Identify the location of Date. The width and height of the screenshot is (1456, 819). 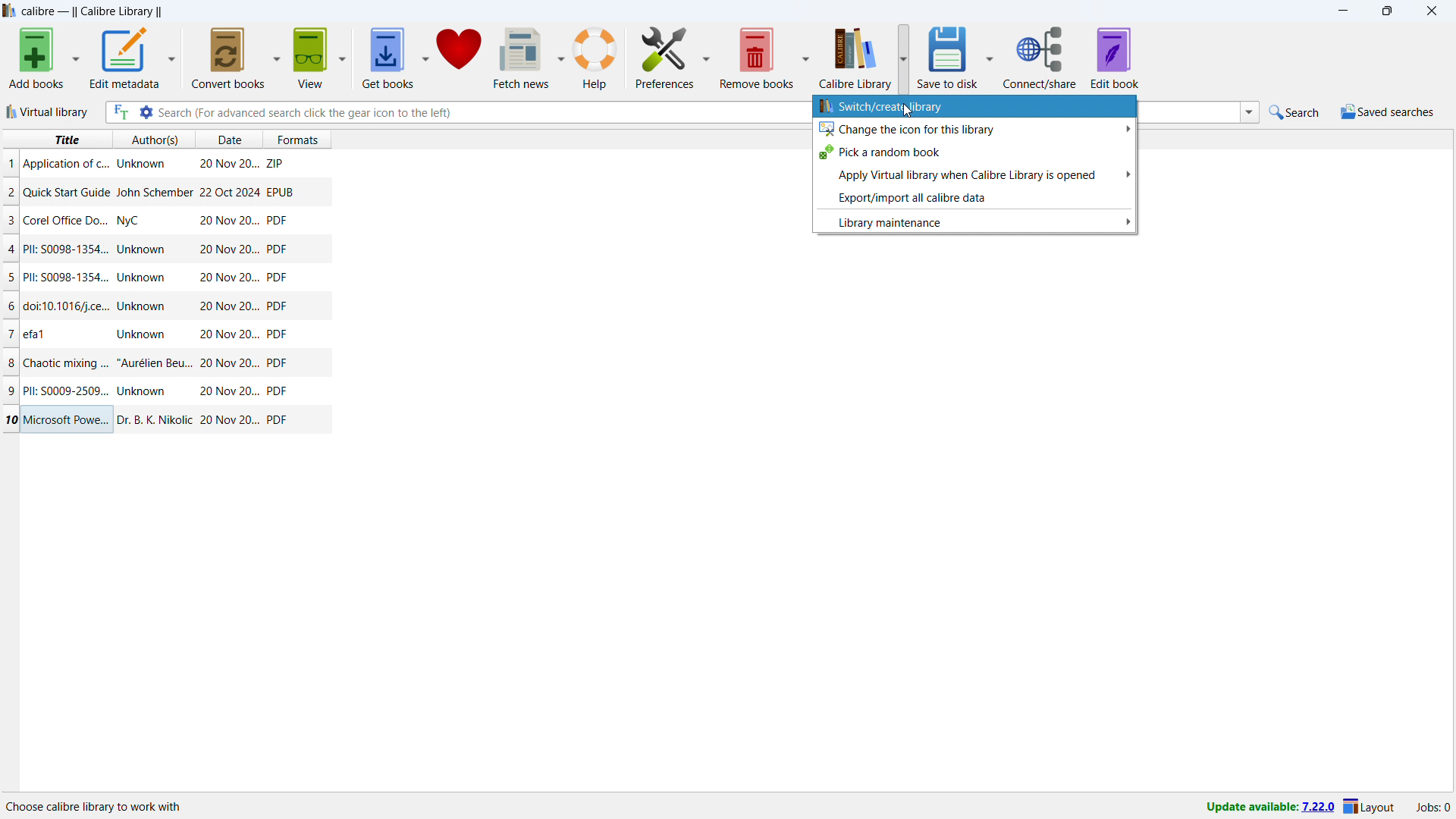
(229, 165).